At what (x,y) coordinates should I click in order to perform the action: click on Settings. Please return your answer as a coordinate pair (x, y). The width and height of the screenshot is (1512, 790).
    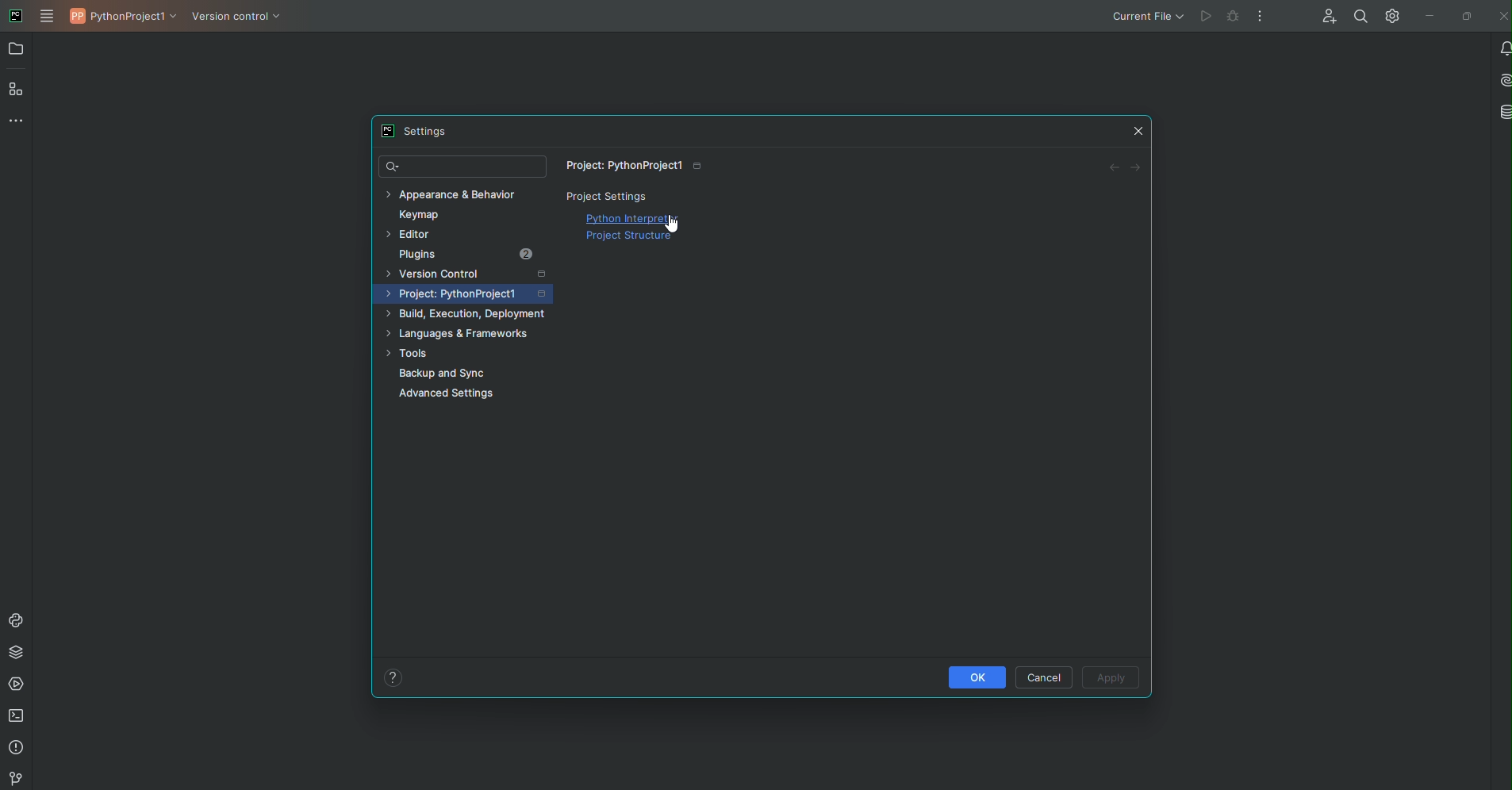
    Looking at the image, I should click on (1391, 17).